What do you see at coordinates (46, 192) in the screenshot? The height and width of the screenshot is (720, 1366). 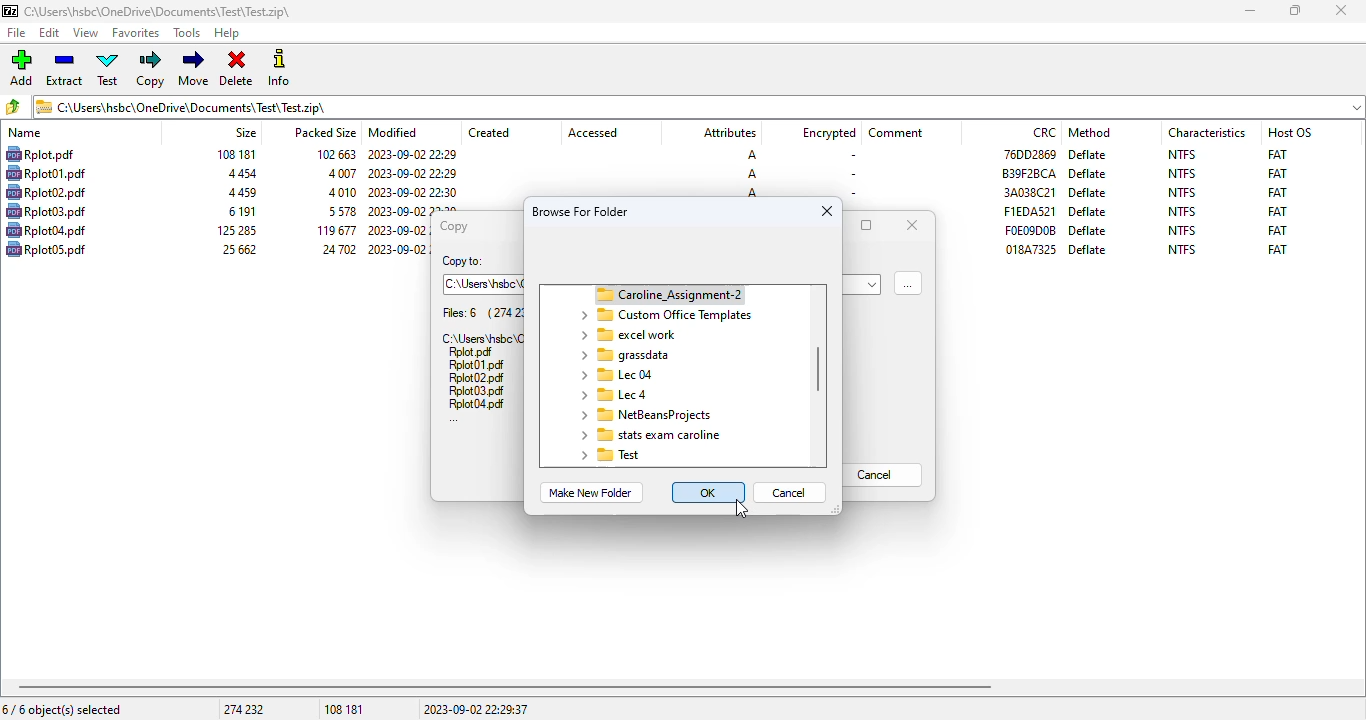 I see `file` at bounding box center [46, 192].